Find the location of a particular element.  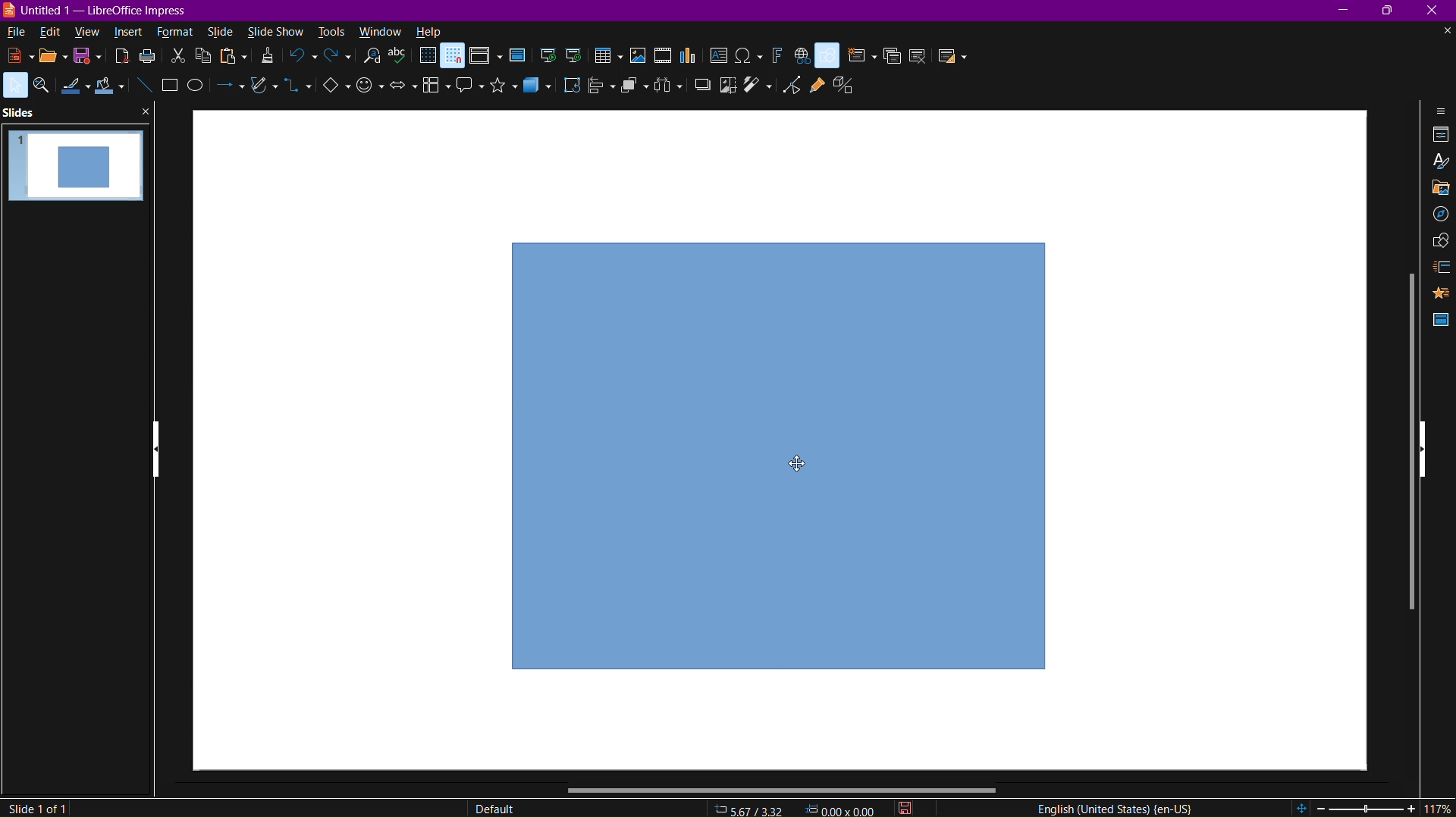

Slide 1 of 1 is located at coordinates (39, 806).